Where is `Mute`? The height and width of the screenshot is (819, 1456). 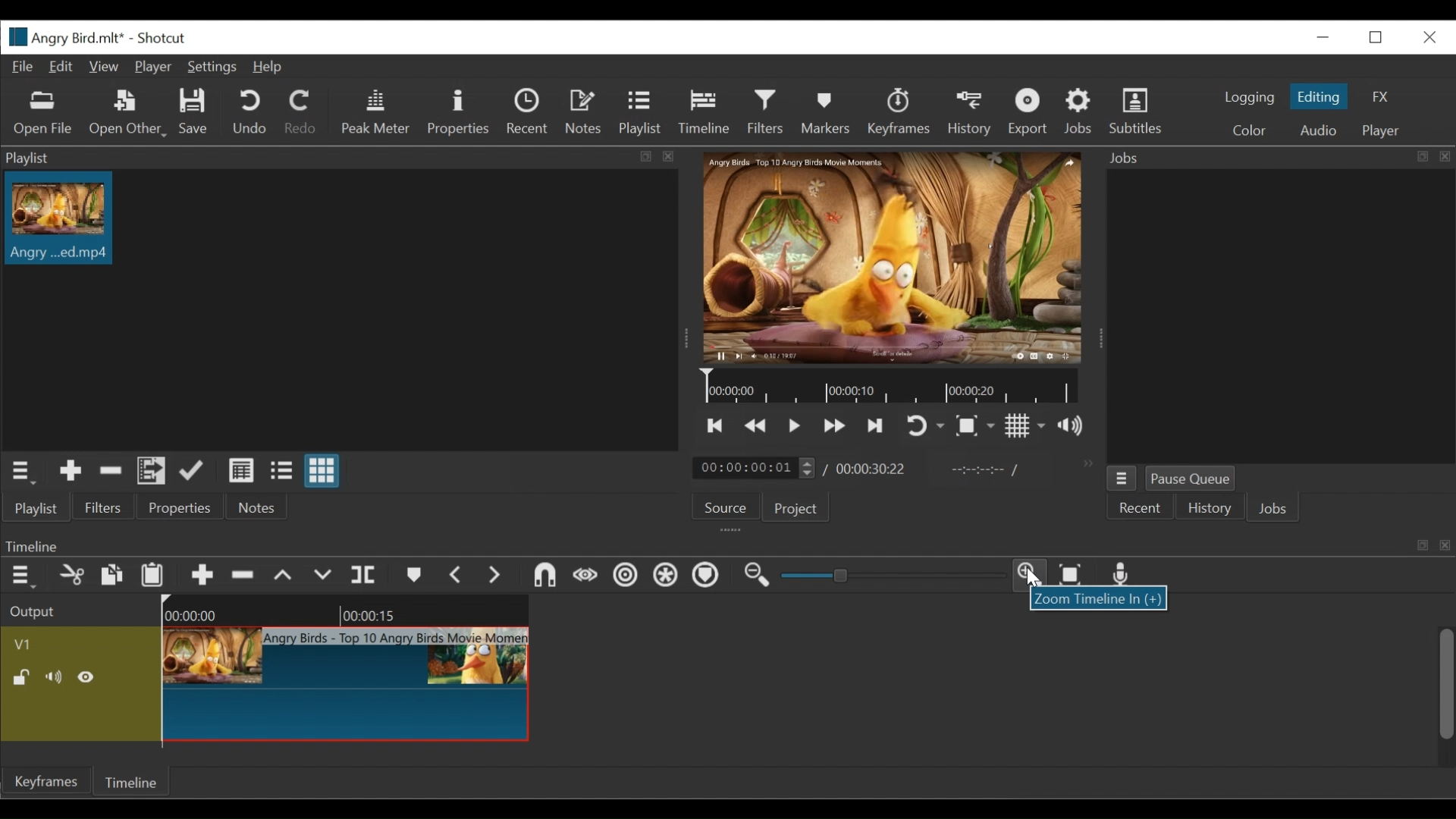
Mute is located at coordinates (55, 676).